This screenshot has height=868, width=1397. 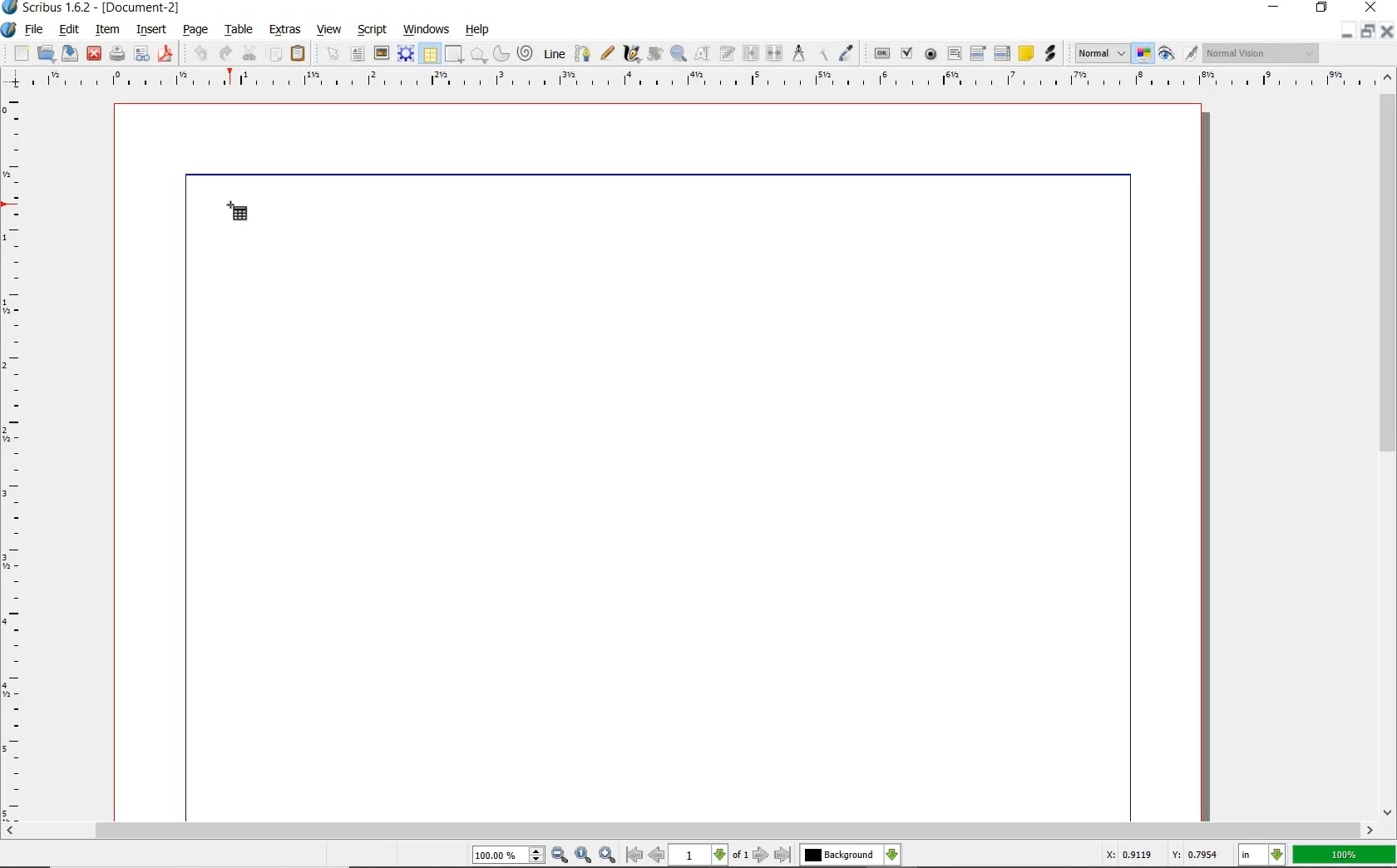 What do you see at coordinates (677, 54) in the screenshot?
I see `zoom in or out` at bounding box center [677, 54].